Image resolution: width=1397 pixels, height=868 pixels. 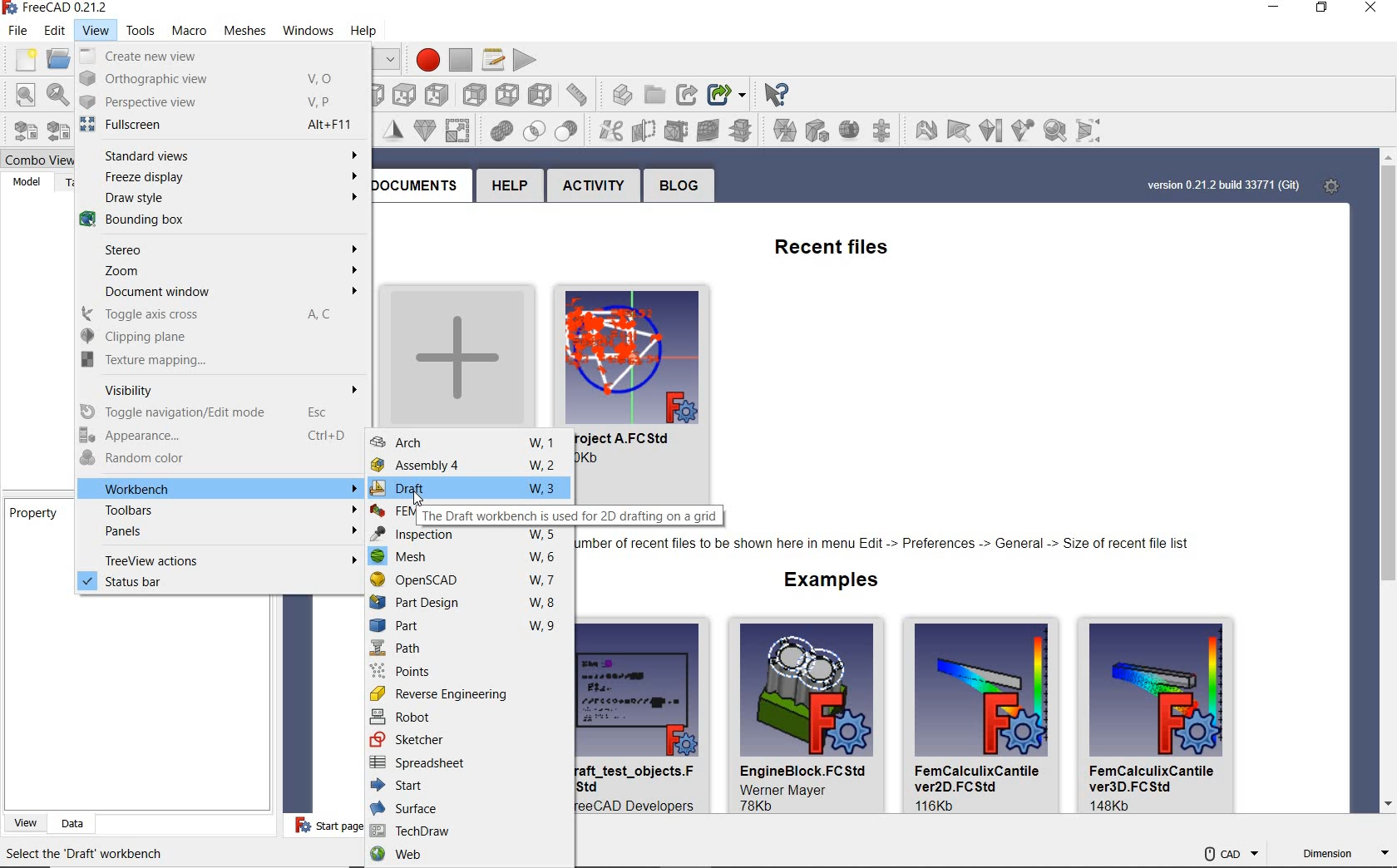 What do you see at coordinates (56, 94) in the screenshot?
I see `fit selection` at bounding box center [56, 94].